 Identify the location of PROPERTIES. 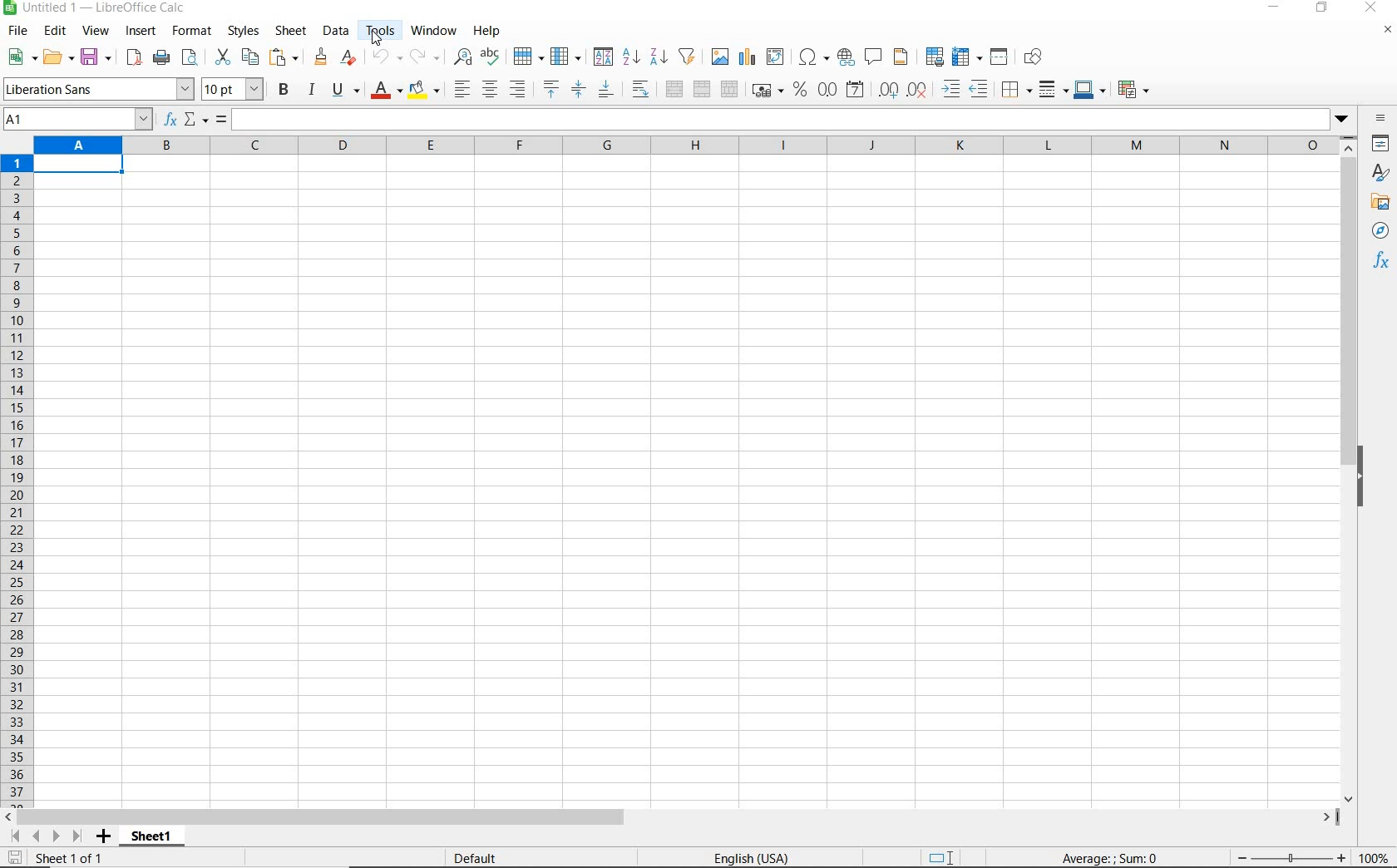
(1380, 144).